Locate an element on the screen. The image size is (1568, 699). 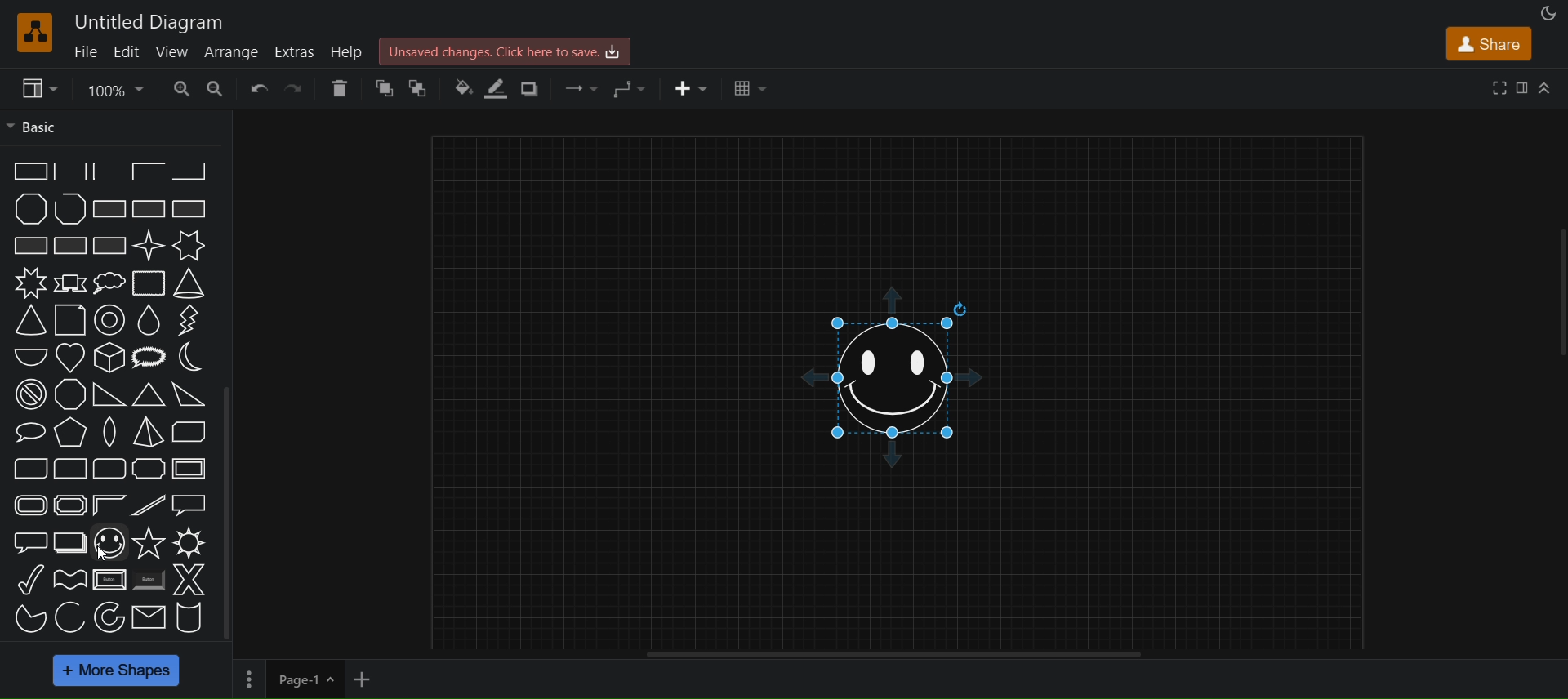
rotate shape is located at coordinates (966, 308).